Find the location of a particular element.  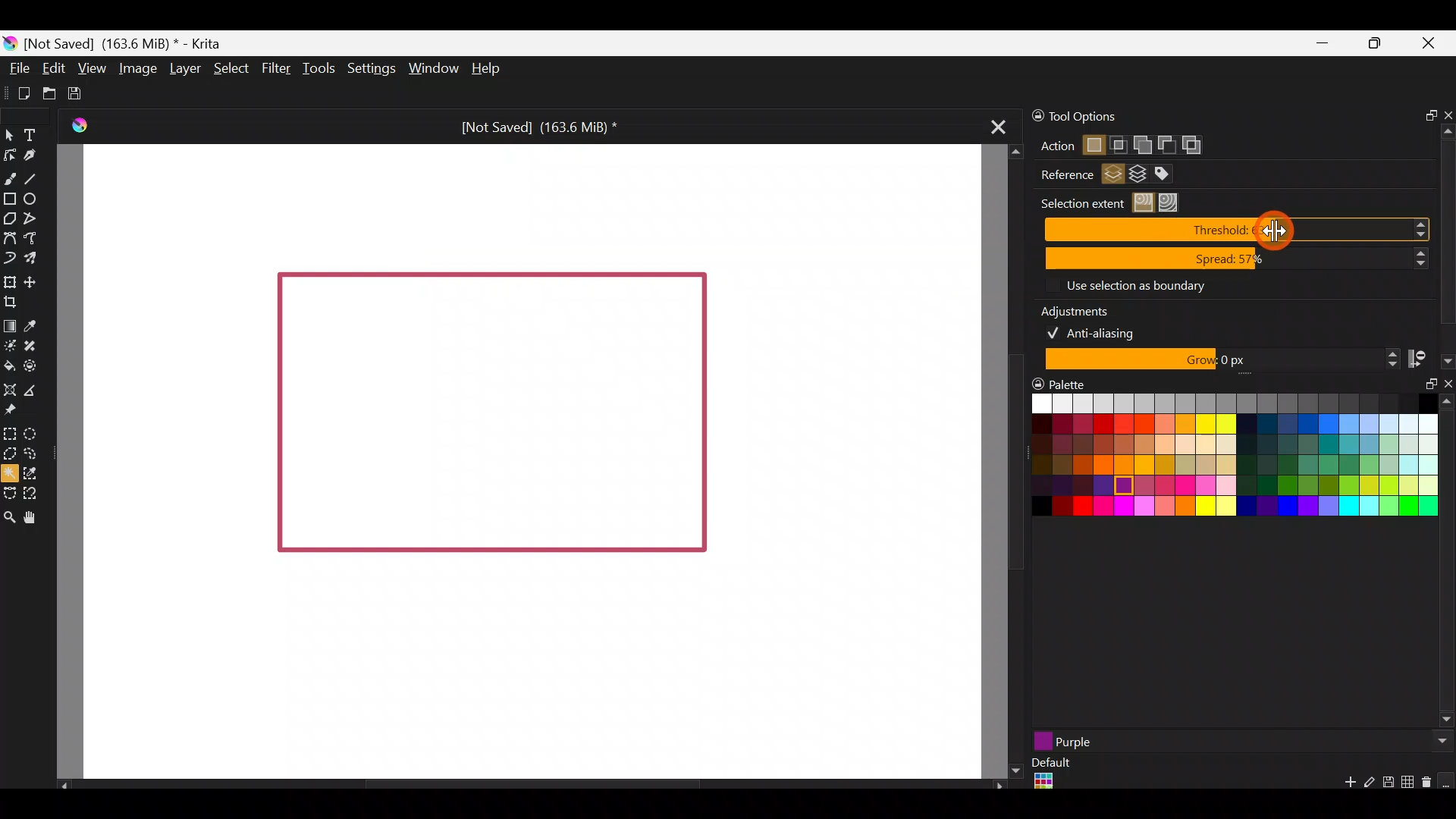

Replace is located at coordinates (1093, 146).